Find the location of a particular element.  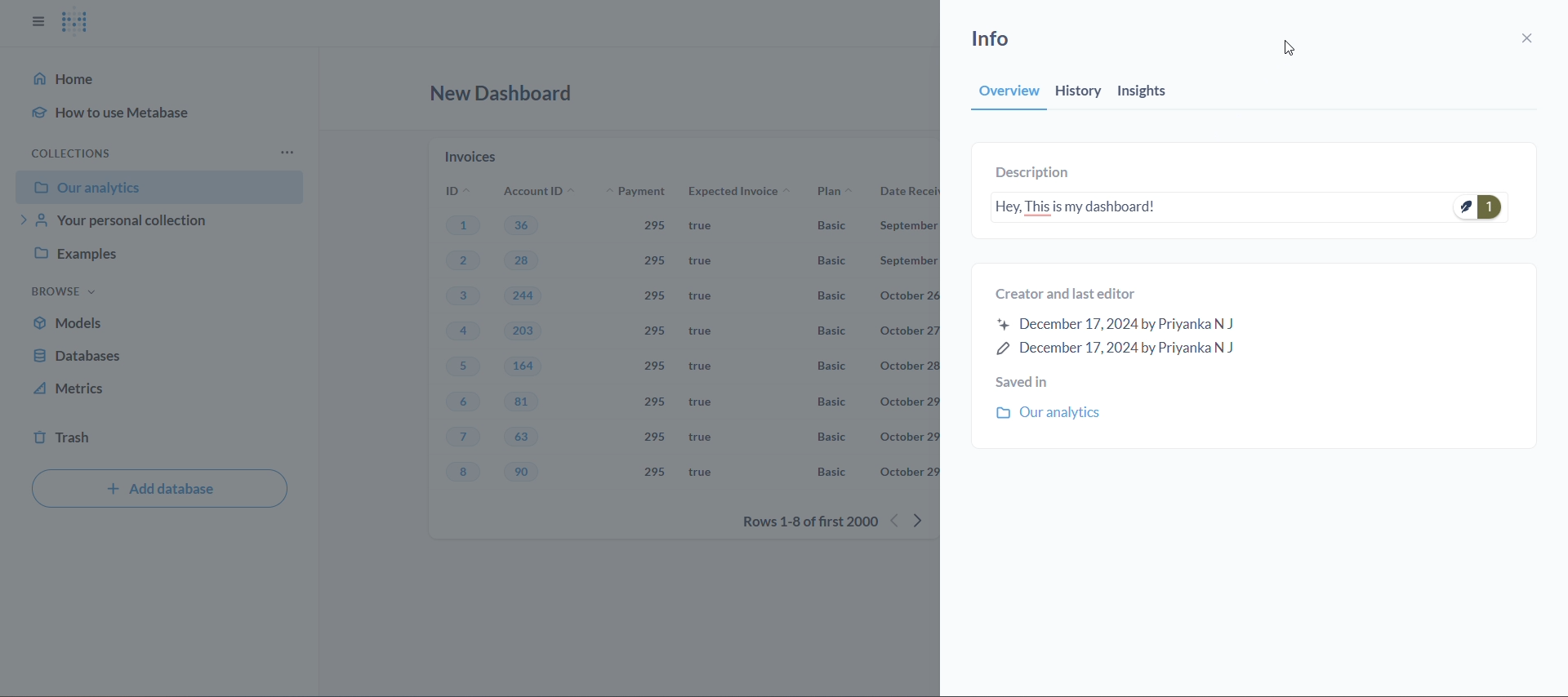

examples is located at coordinates (154, 256).